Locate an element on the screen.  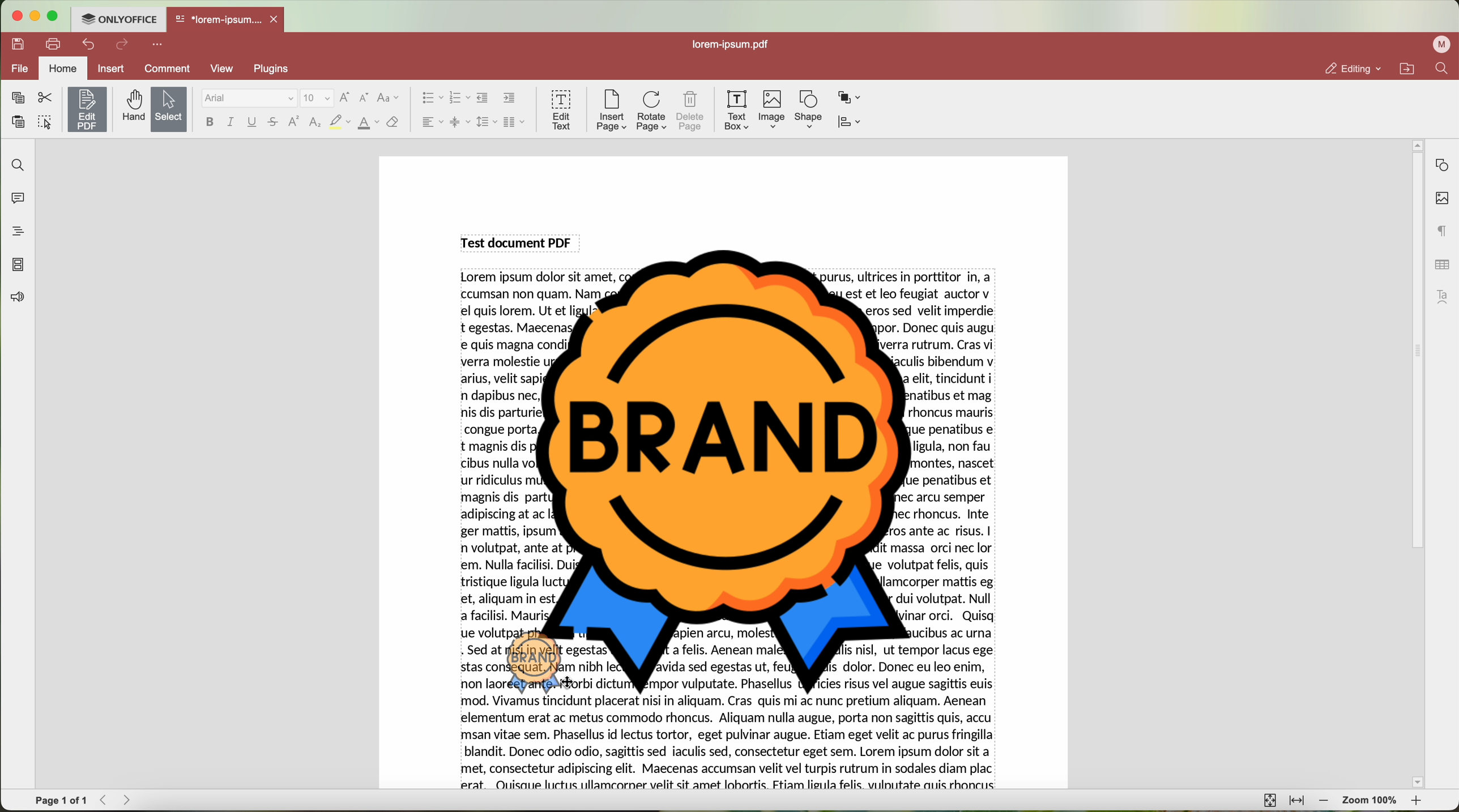
edit text is located at coordinates (562, 109).